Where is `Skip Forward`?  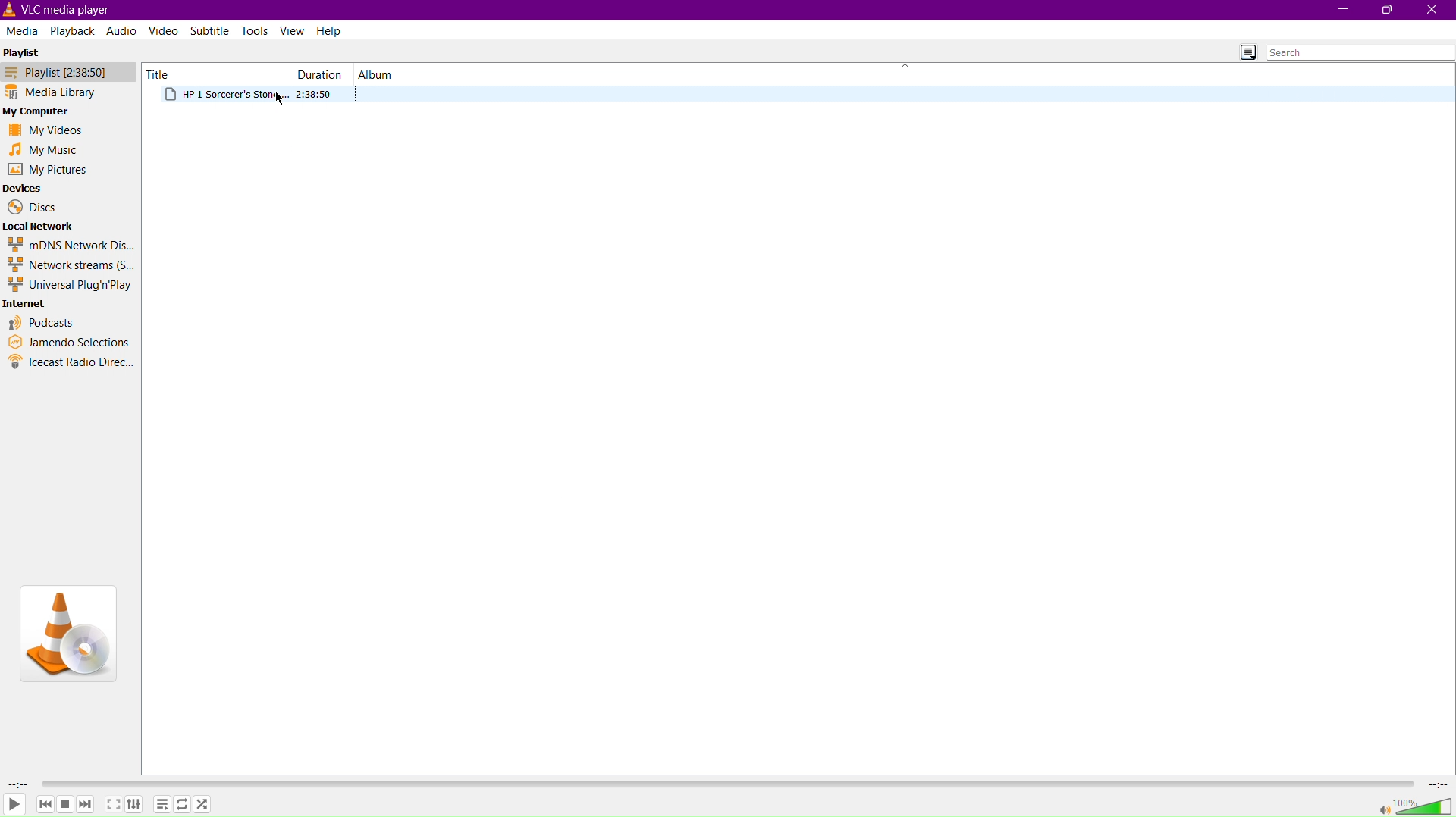
Skip Forward is located at coordinates (86, 805).